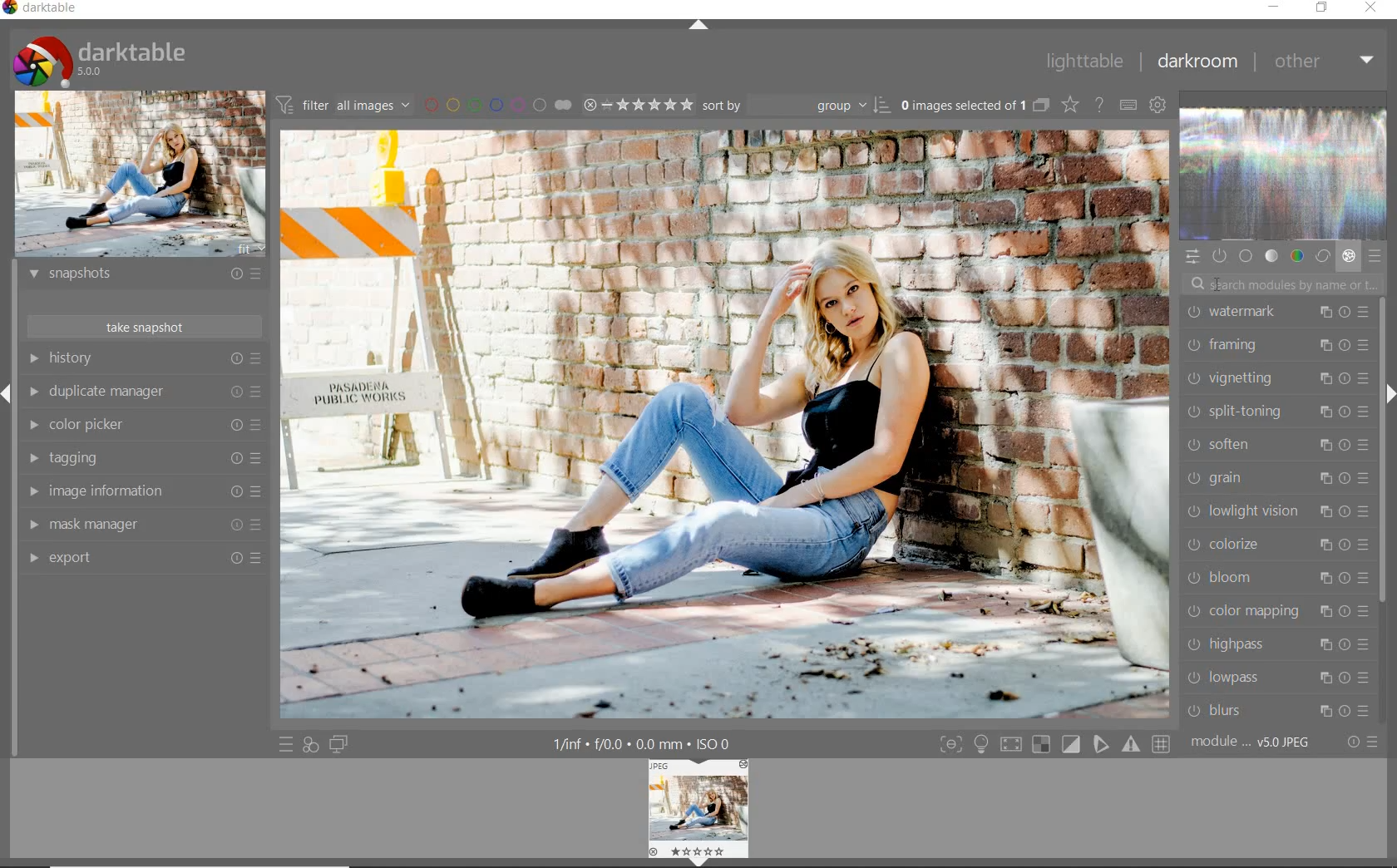 The height and width of the screenshot is (868, 1397). What do you see at coordinates (1275, 7) in the screenshot?
I see `minimize` at bounding box center [1275, 7].